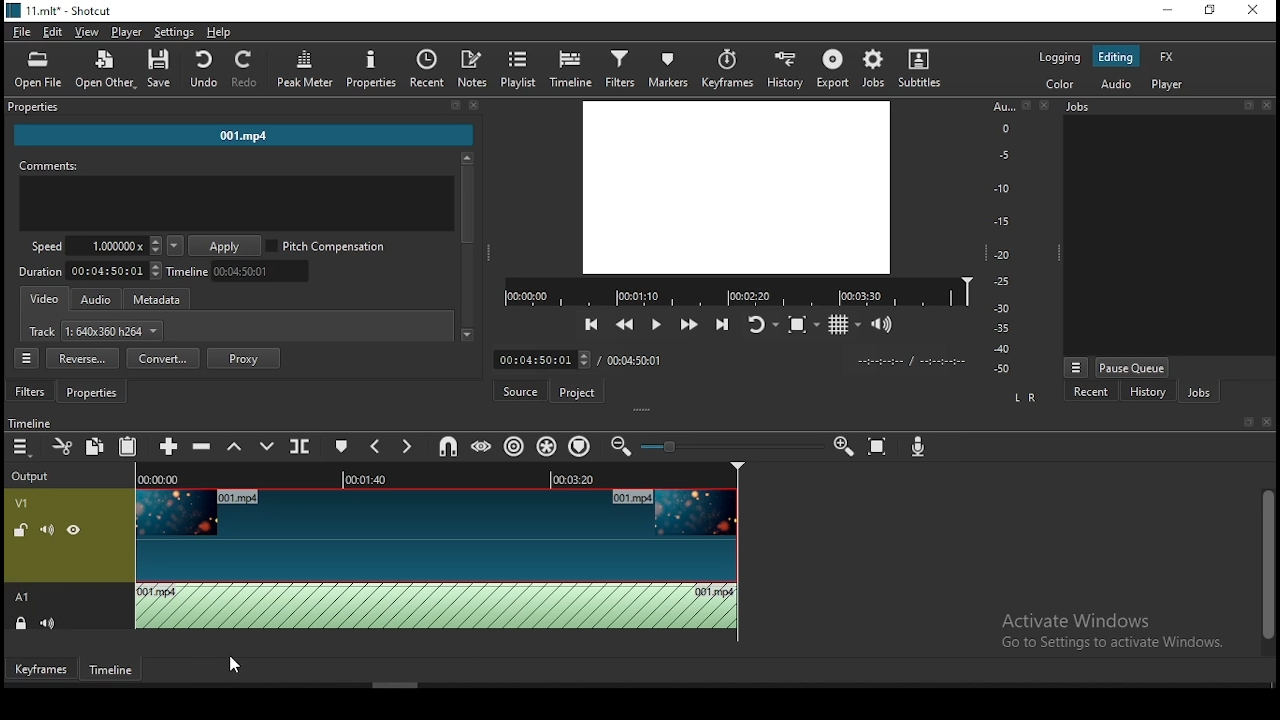  Describe the element at coordinates (831, 68) in the screenshot. I see `export` at that location.